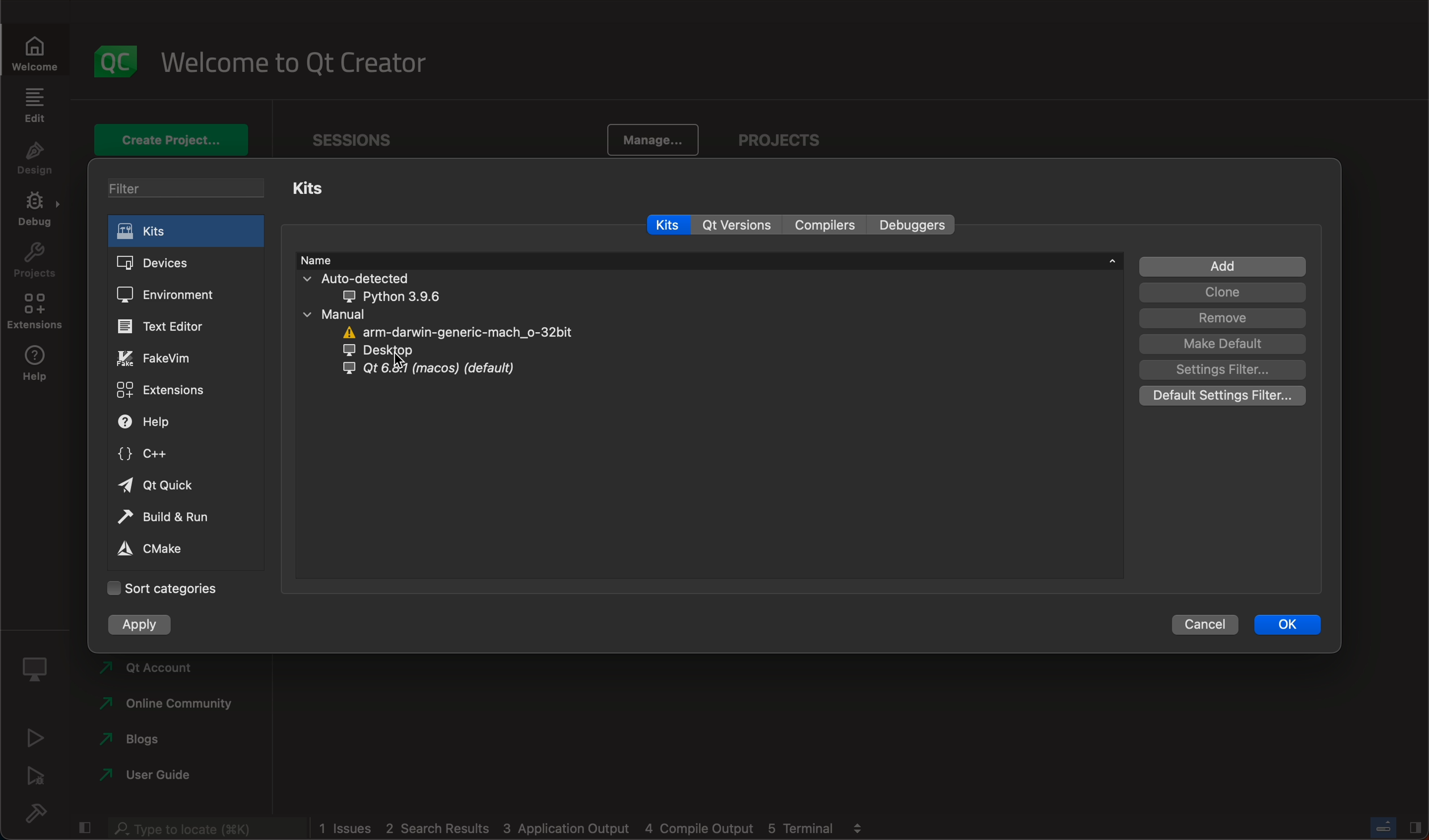 This screenshot has width=1429, height=840. Describe the element at coordinates (143, 626) in the screenshot. I see `apply` at that location.